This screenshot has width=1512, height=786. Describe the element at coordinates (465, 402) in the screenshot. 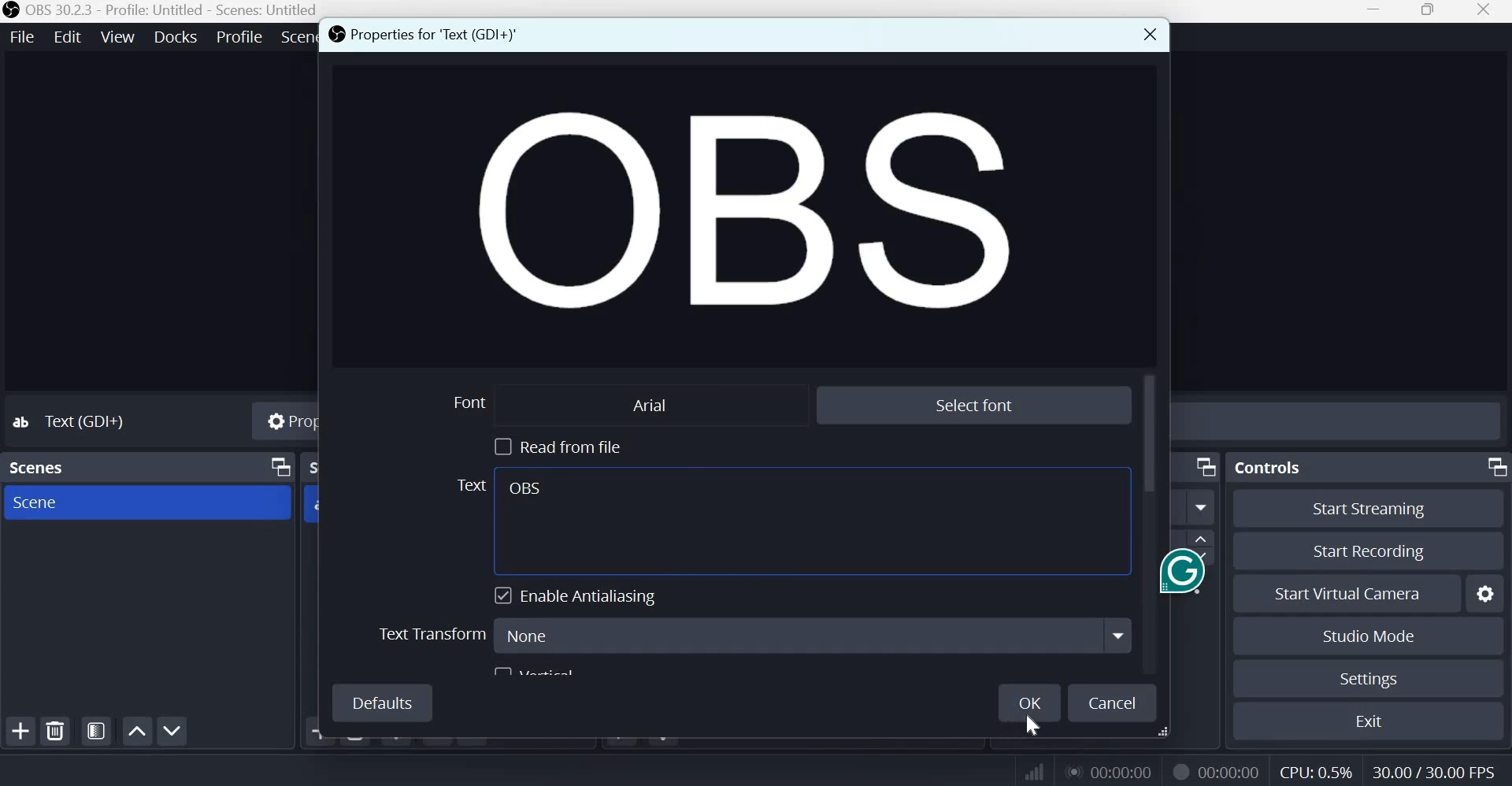

I see `Font` at that location.